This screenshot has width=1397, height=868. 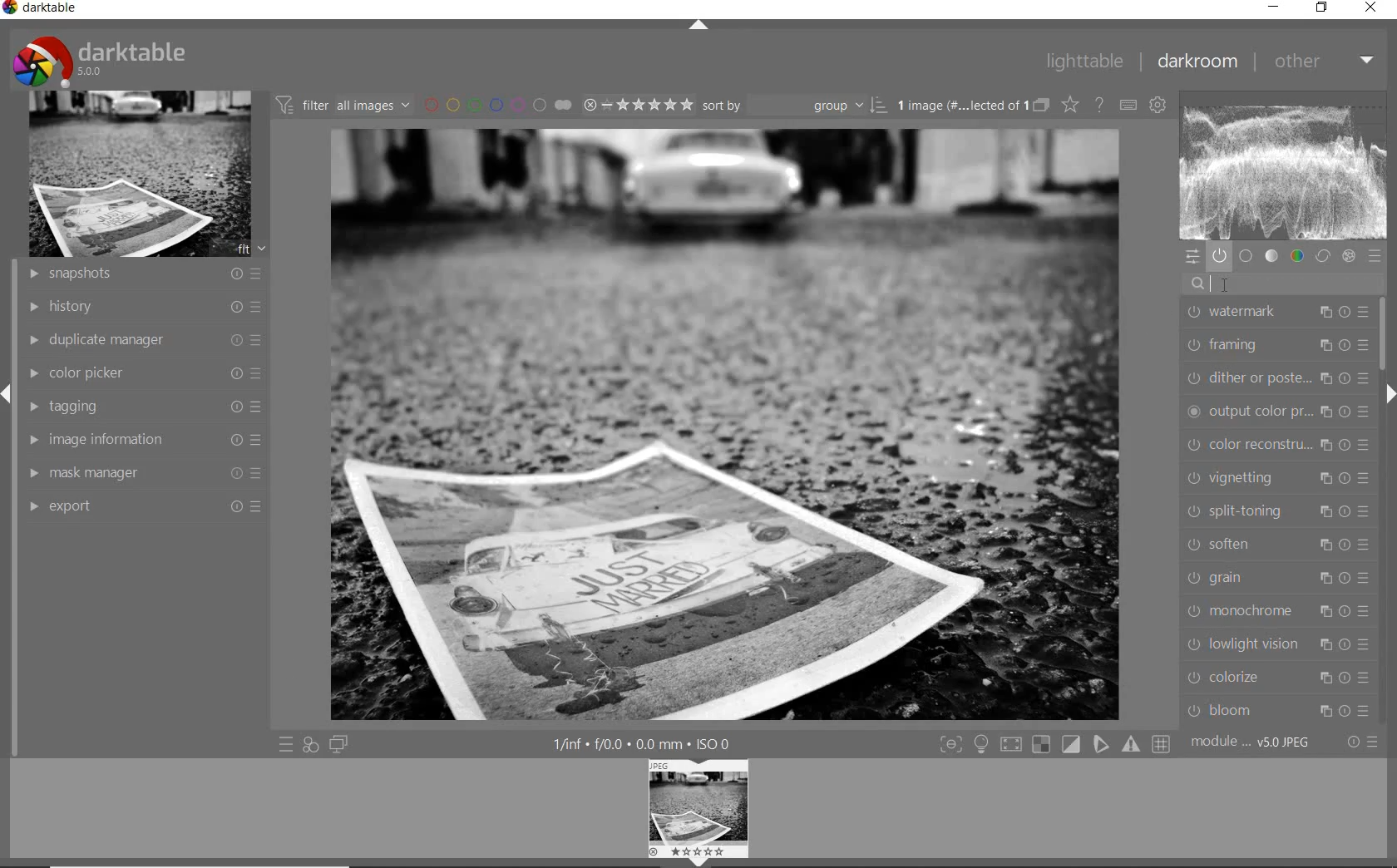 I want to click on mask manager, so click(x=146, y=471).